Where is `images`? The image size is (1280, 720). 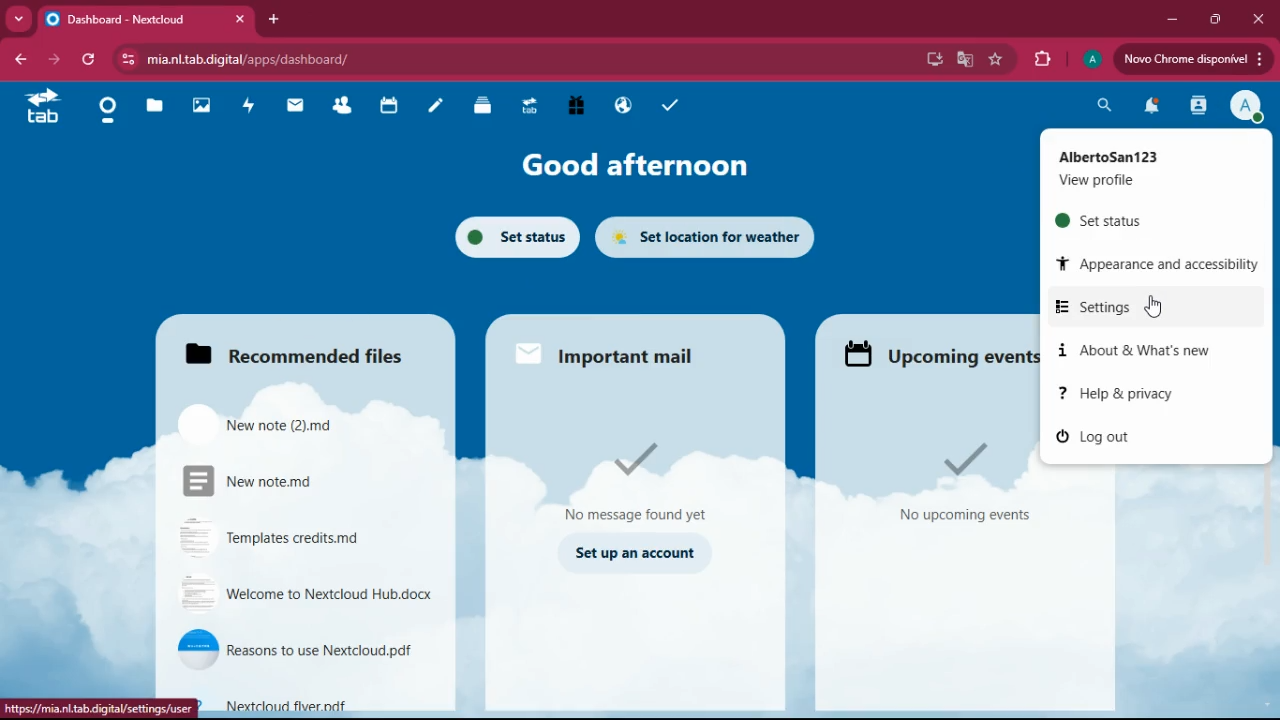
images is located at coordinates (201, 107).